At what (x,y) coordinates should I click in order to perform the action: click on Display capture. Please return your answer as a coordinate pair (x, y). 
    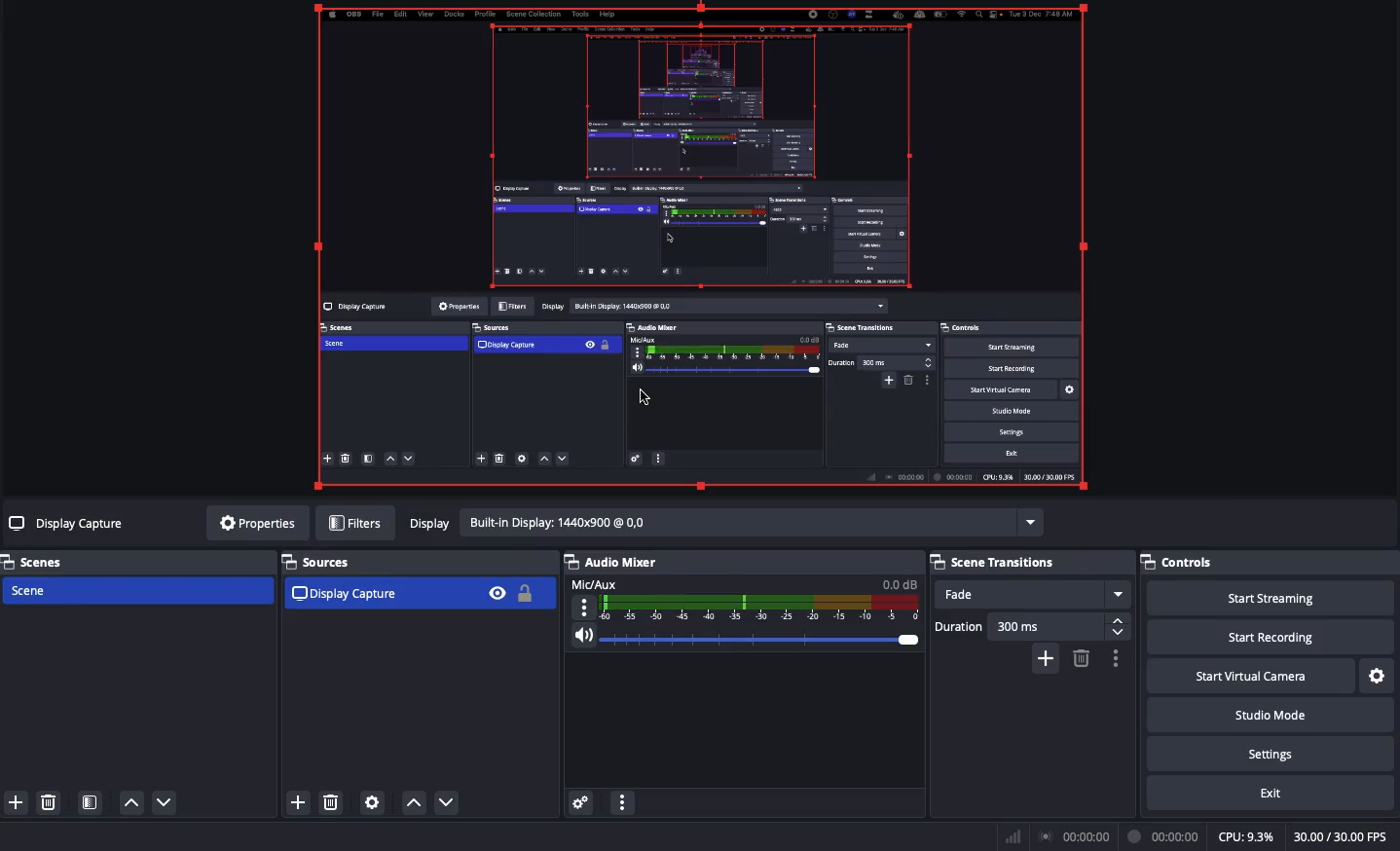
    Looking at the image, I should click on (382, 593).